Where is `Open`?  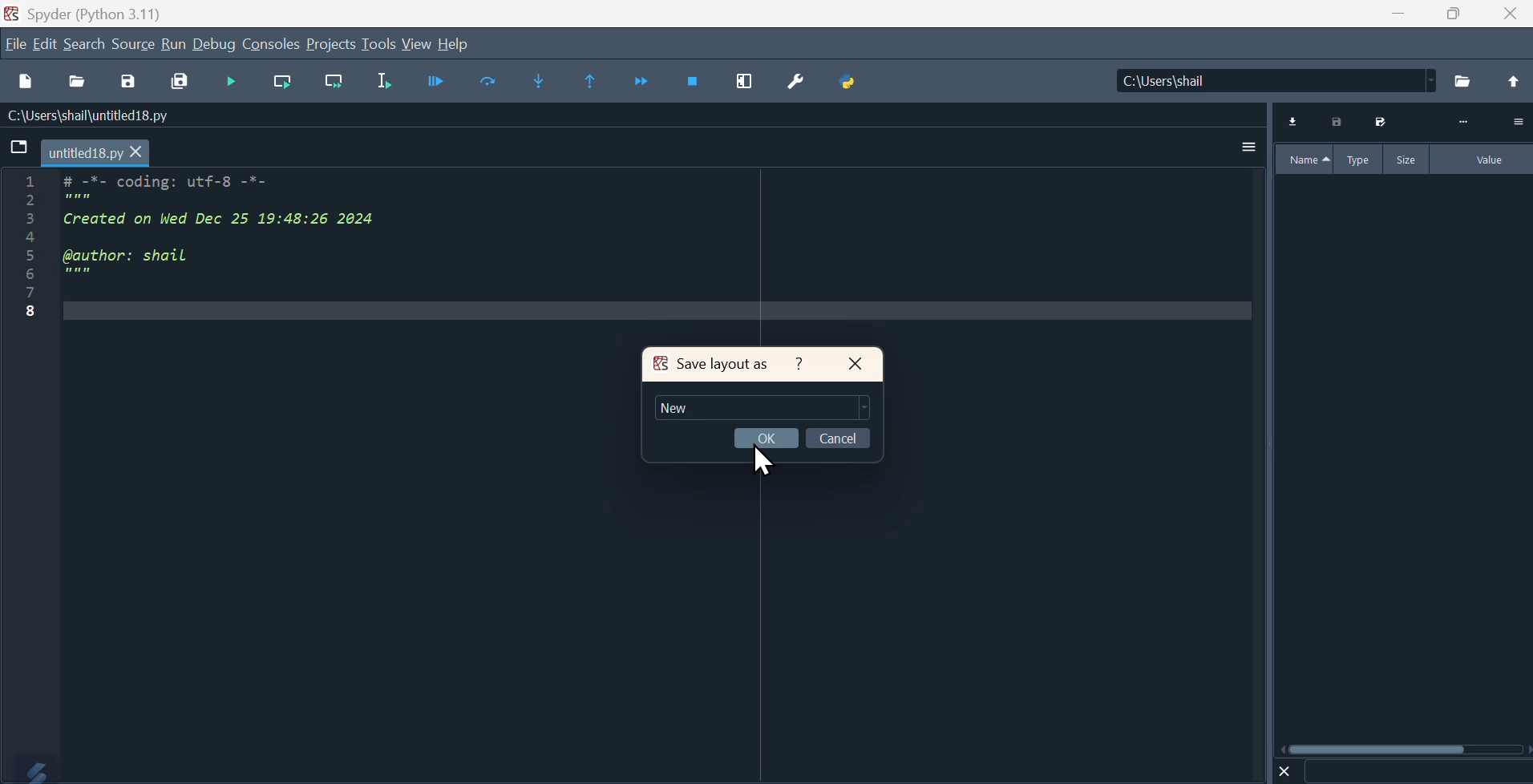
Open is located at coordinates (79, 83).